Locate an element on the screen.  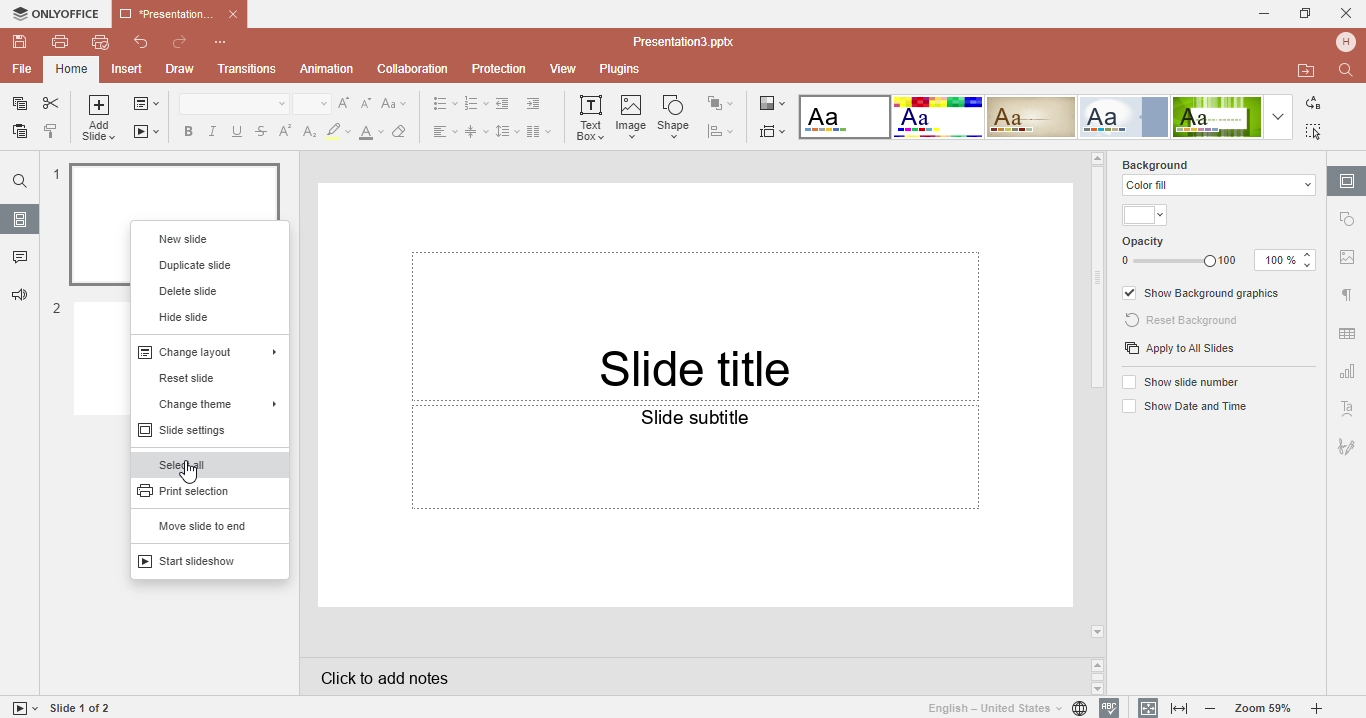
Decrement font size is located at coordinates (368, 103).